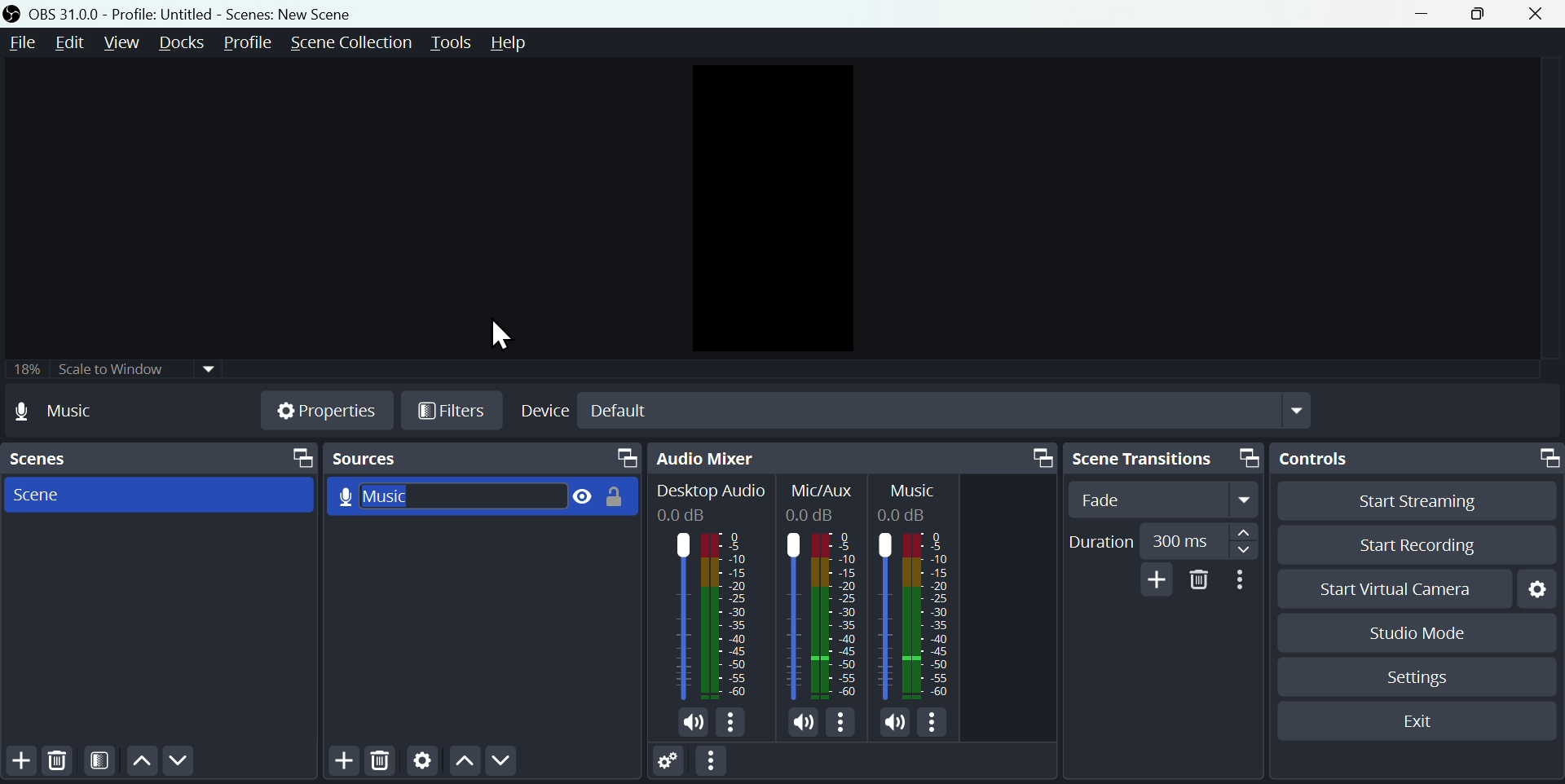  Describe the element at coordinates (180, 42) in the screenshot. I see `Docks` at that location.